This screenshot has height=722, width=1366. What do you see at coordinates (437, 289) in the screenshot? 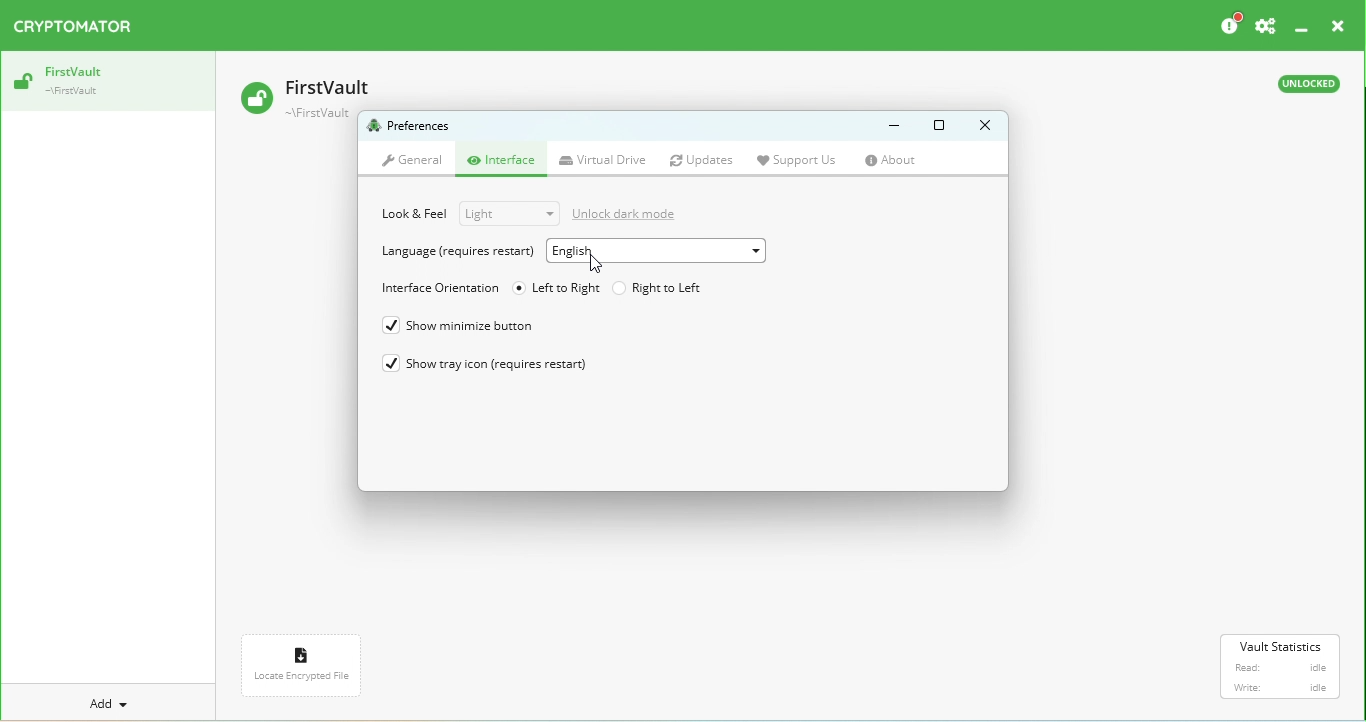
I see `Interface orientation` at bounding box center [437, 289].